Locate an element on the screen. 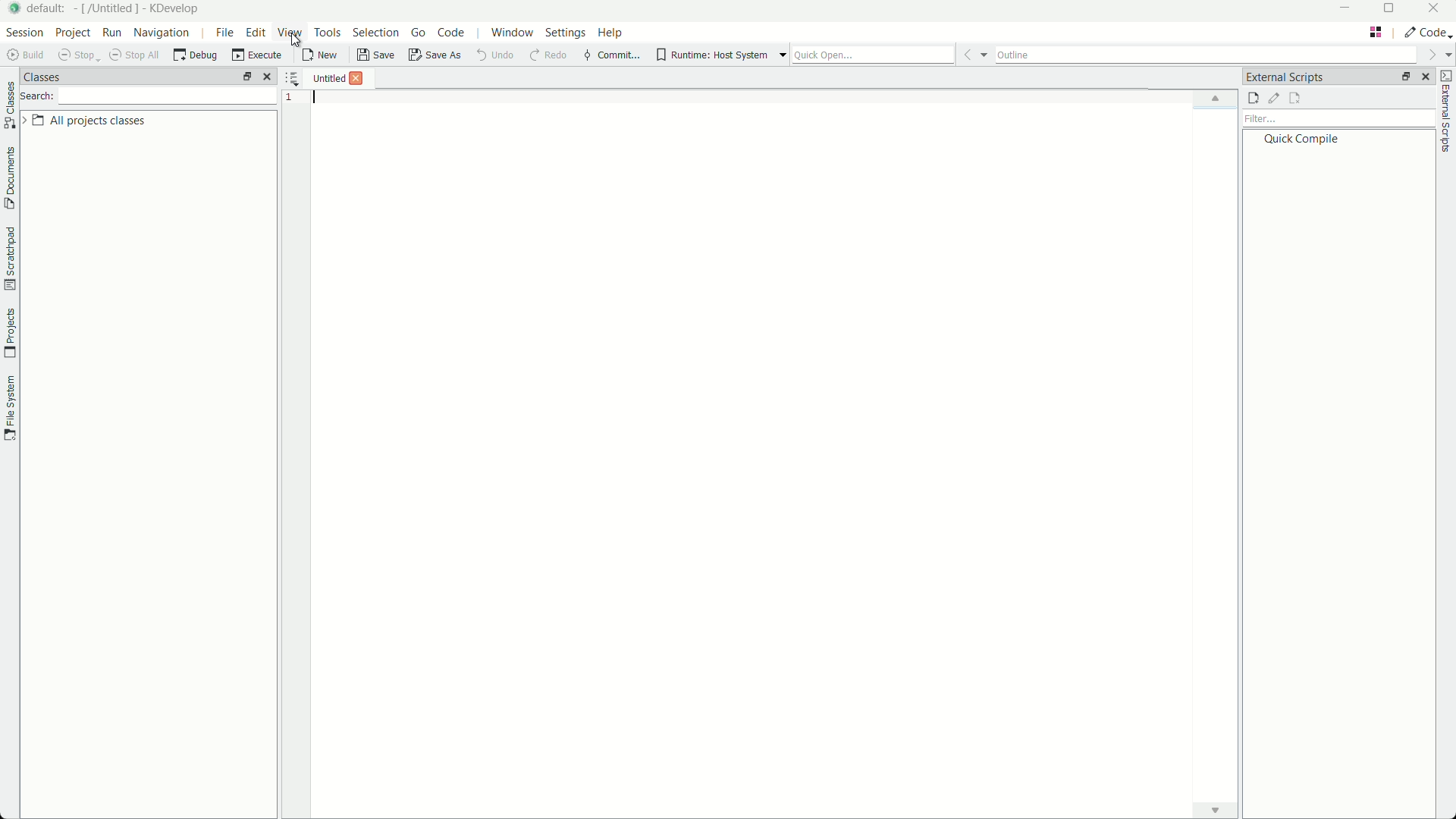 The height and width of the screenshot is (819, 1456). save is located at coordinates (373, 55).